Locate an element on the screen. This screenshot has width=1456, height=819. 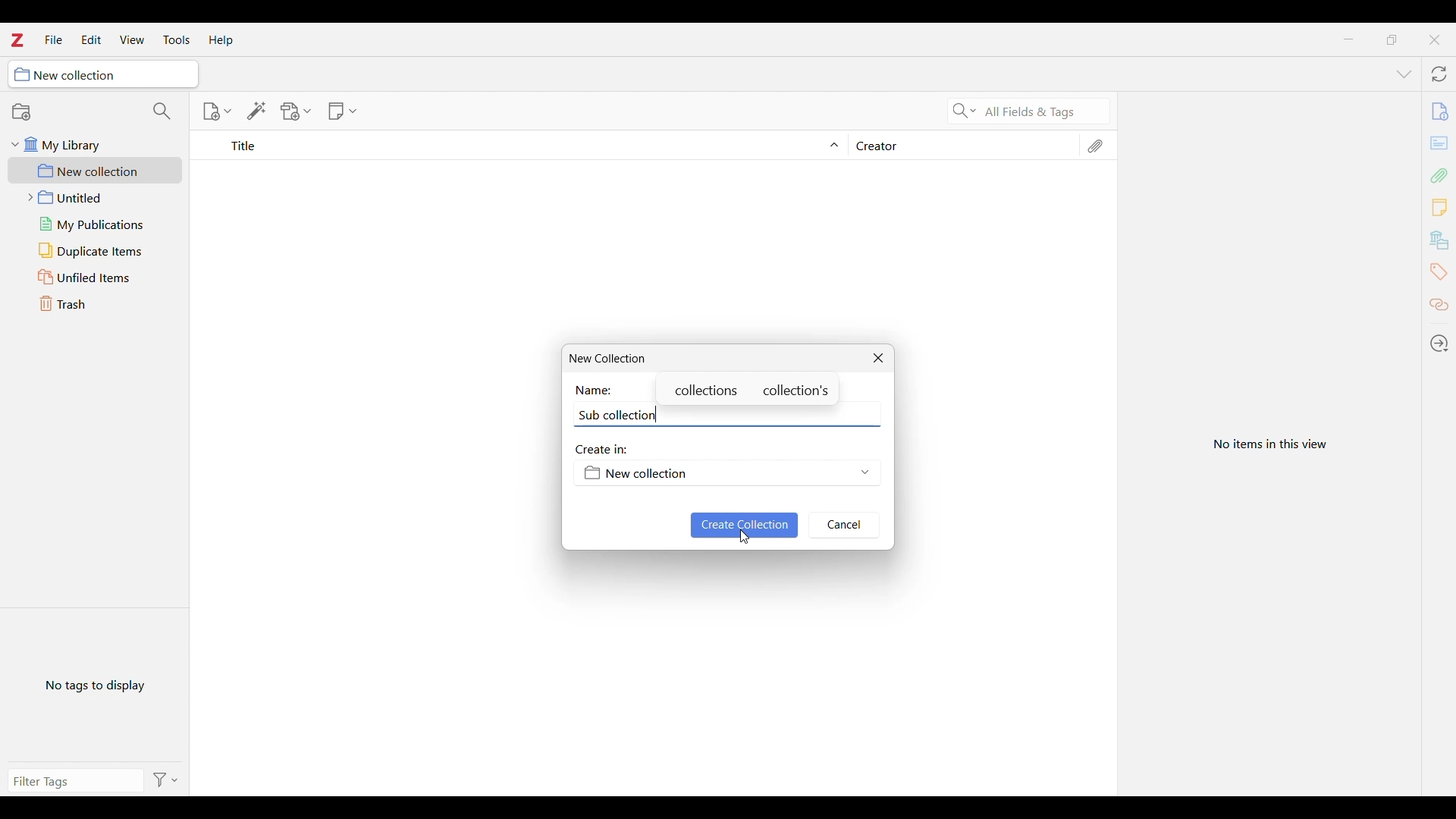
Help menu is located at coordinates (221, 40).